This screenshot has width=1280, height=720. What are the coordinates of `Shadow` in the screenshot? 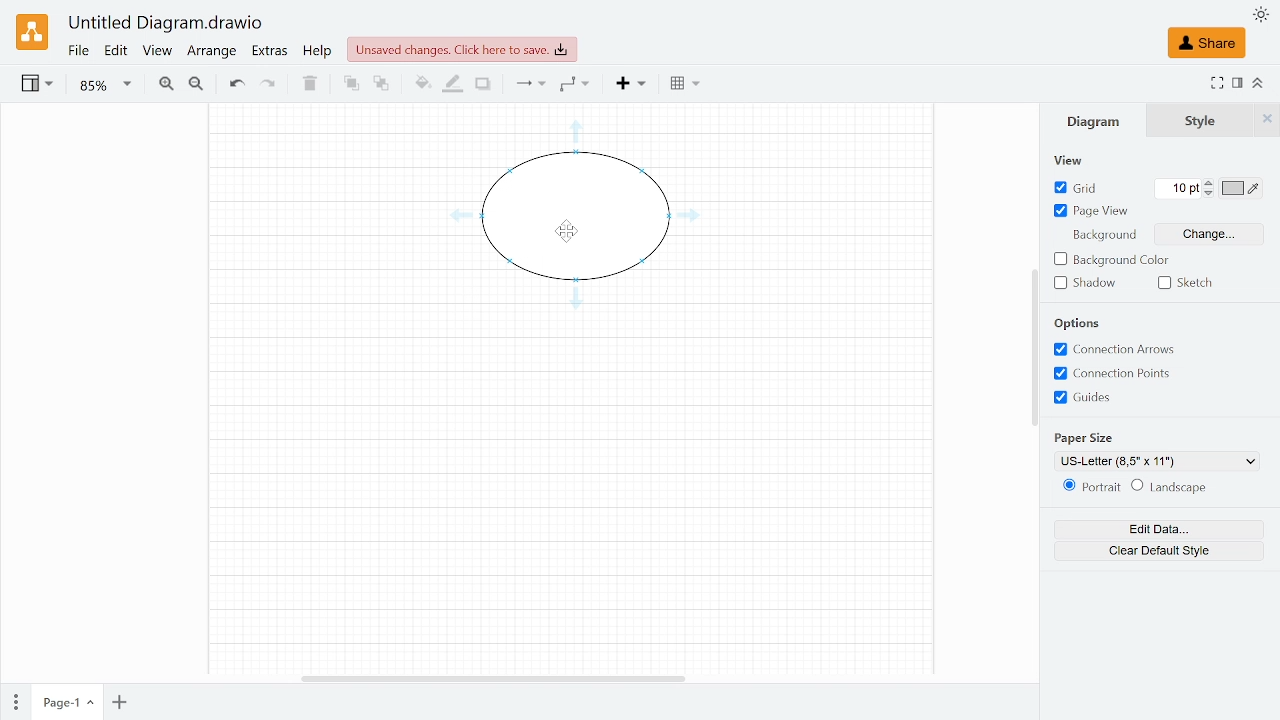 It's located at (485, 83).